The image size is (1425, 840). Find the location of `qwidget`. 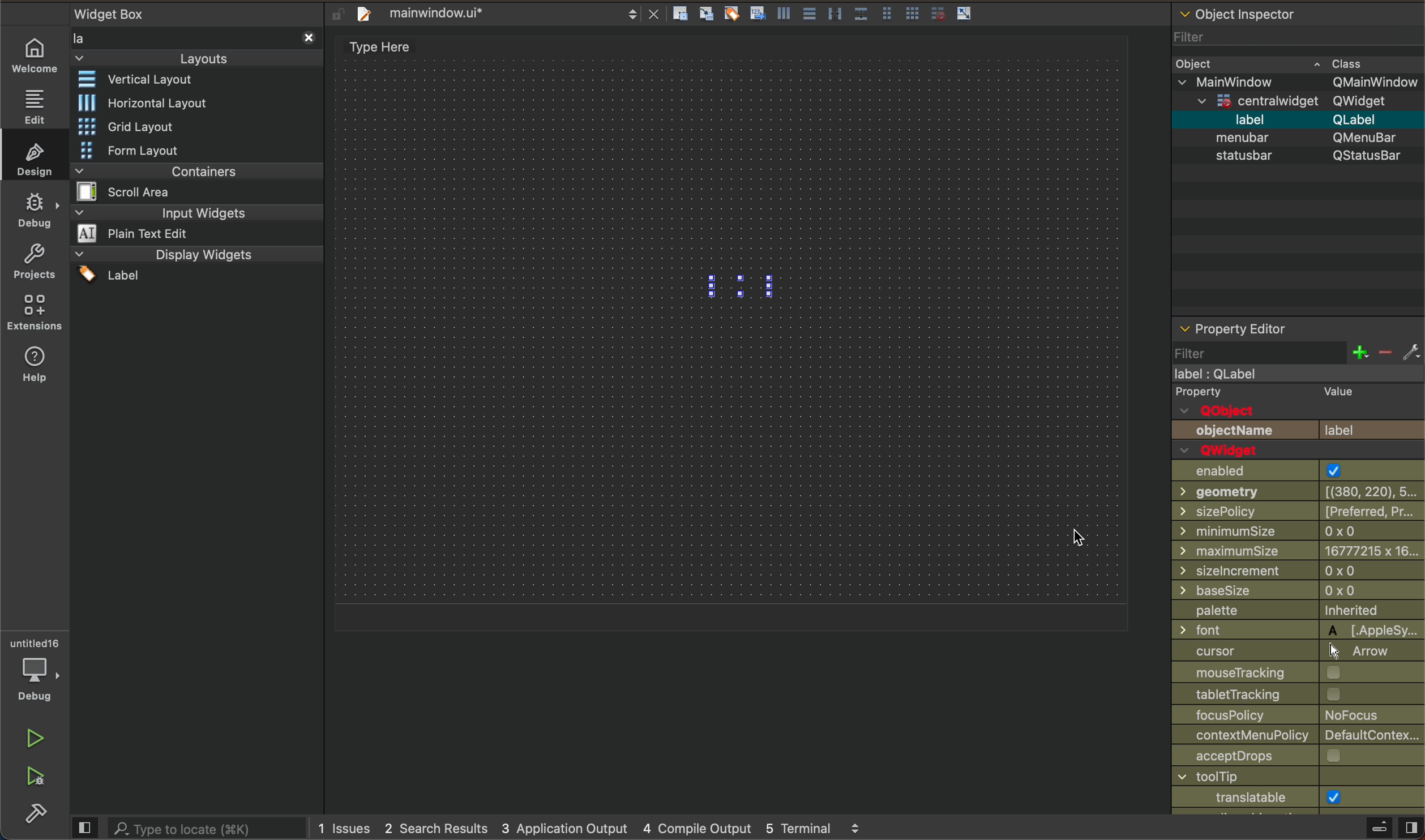

qwidget is located at coordinates (1230, 451).